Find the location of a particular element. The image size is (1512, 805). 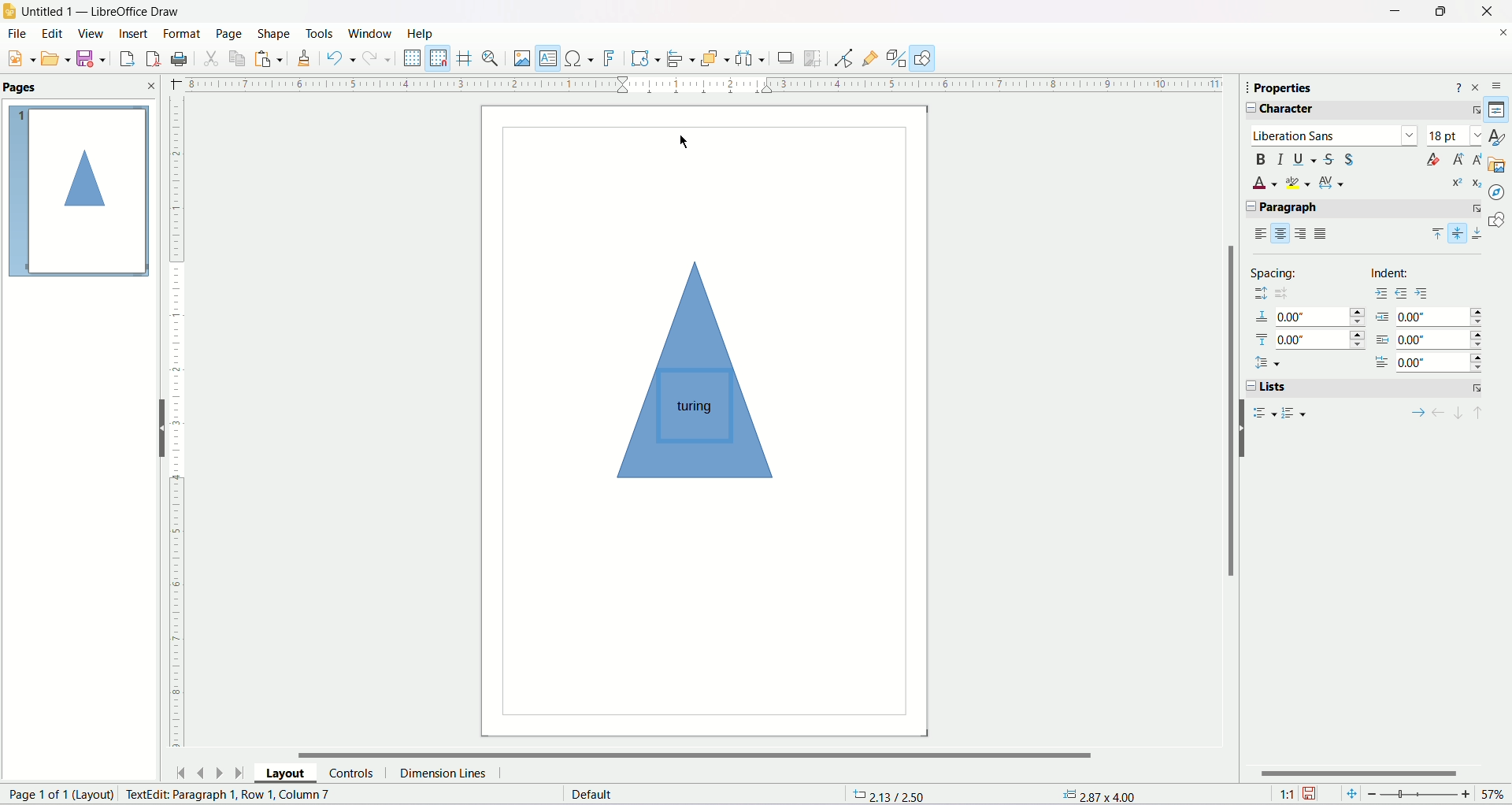

turing is located at coordinates (694, 403).